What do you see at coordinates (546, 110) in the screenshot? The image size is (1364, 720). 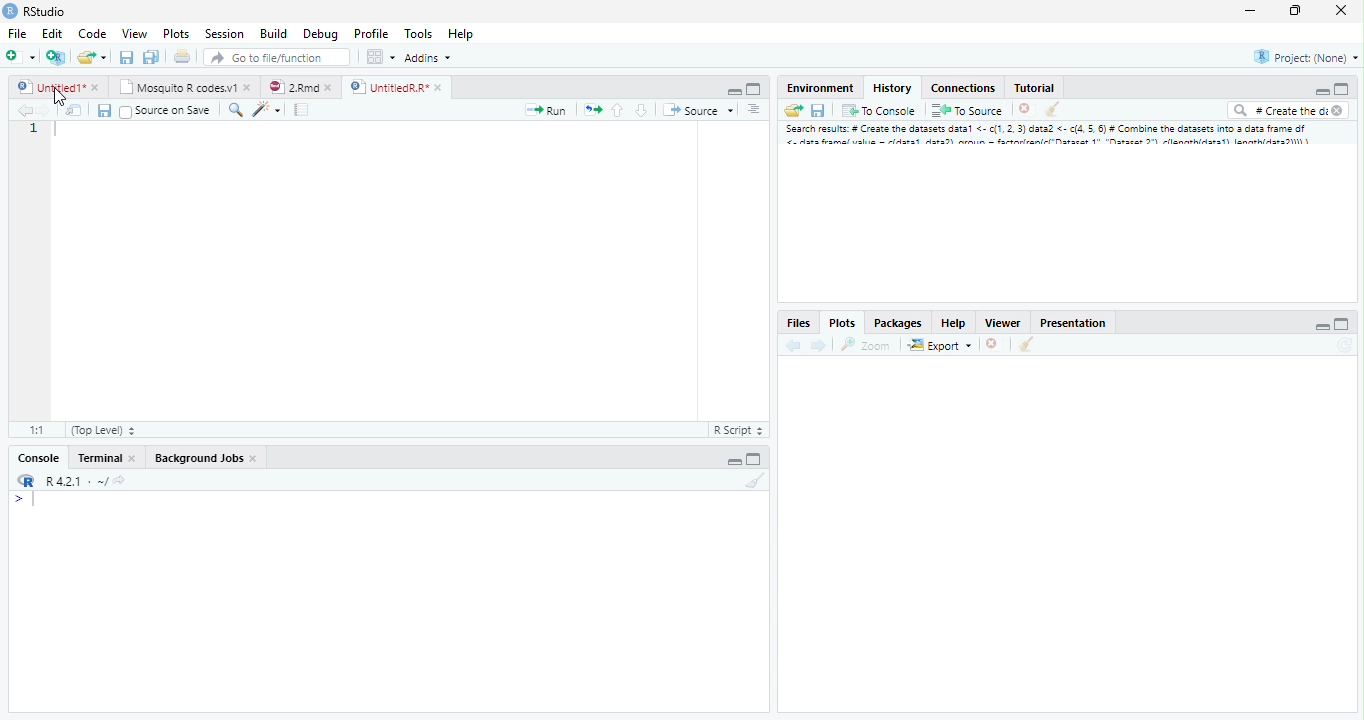 I see `Run` at bounding box center [546, 110].